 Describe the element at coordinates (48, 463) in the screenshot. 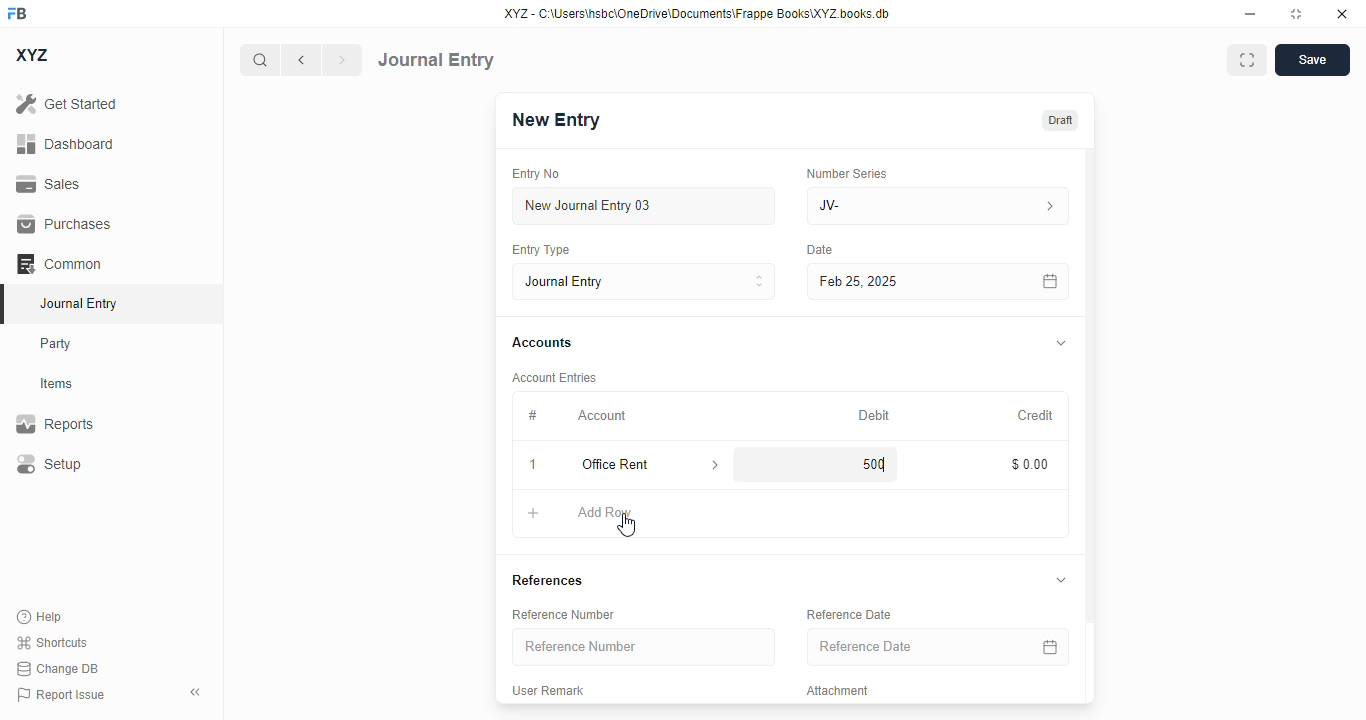

I see `setup` at that location.